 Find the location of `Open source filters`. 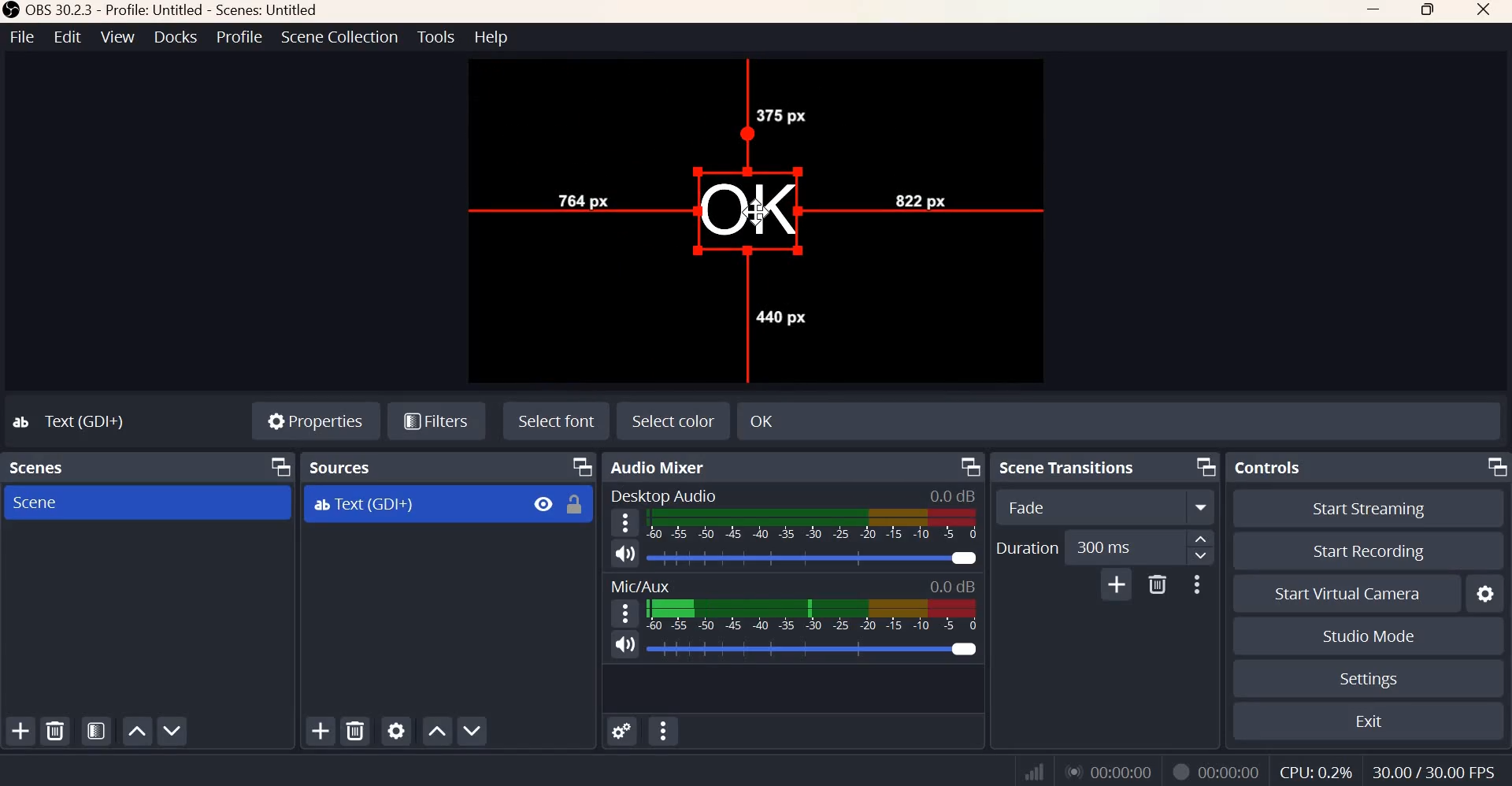

Open source filters is located at coordinates (435, 422).